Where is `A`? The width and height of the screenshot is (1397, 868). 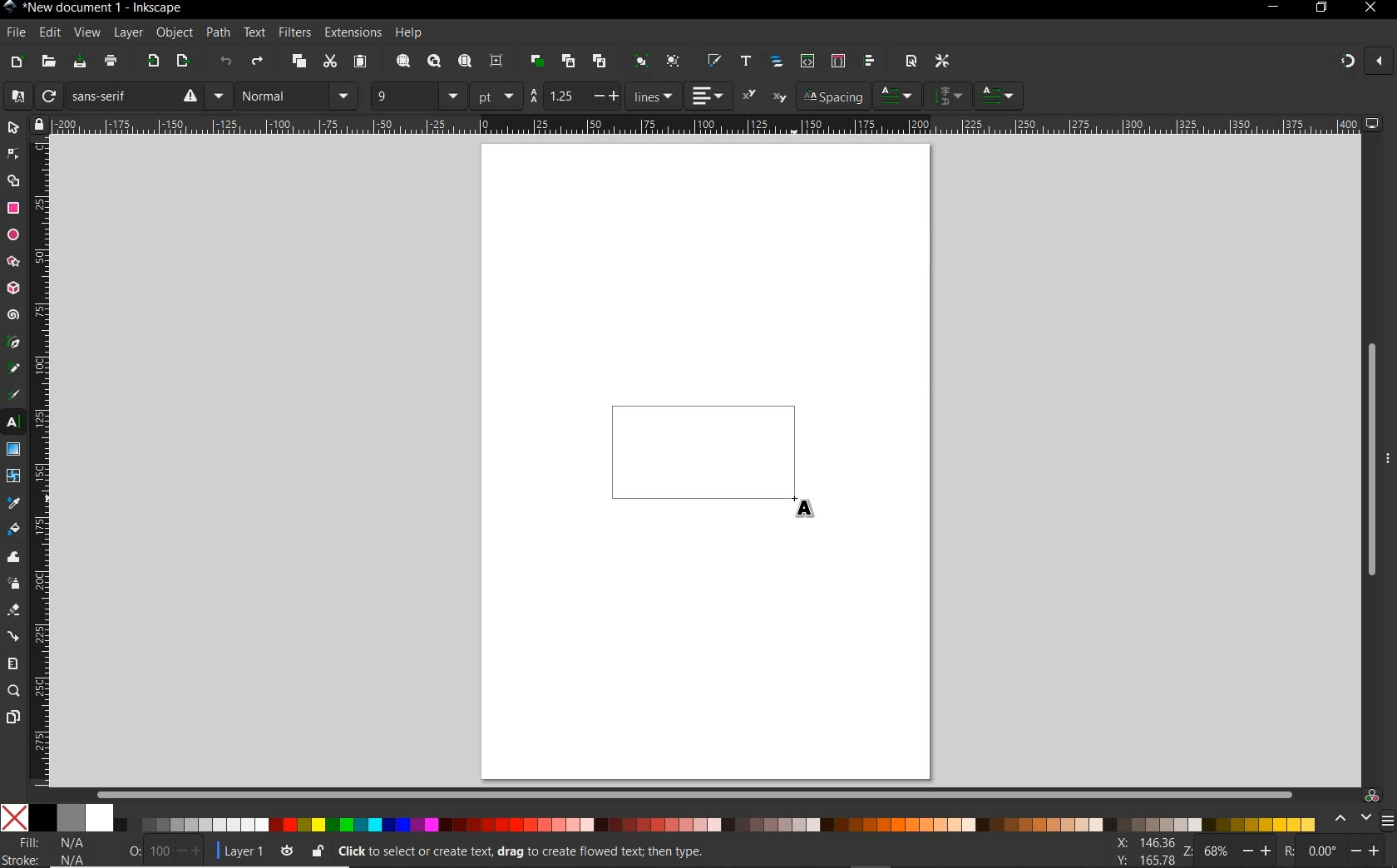
A is located at coordinates (14, 96).